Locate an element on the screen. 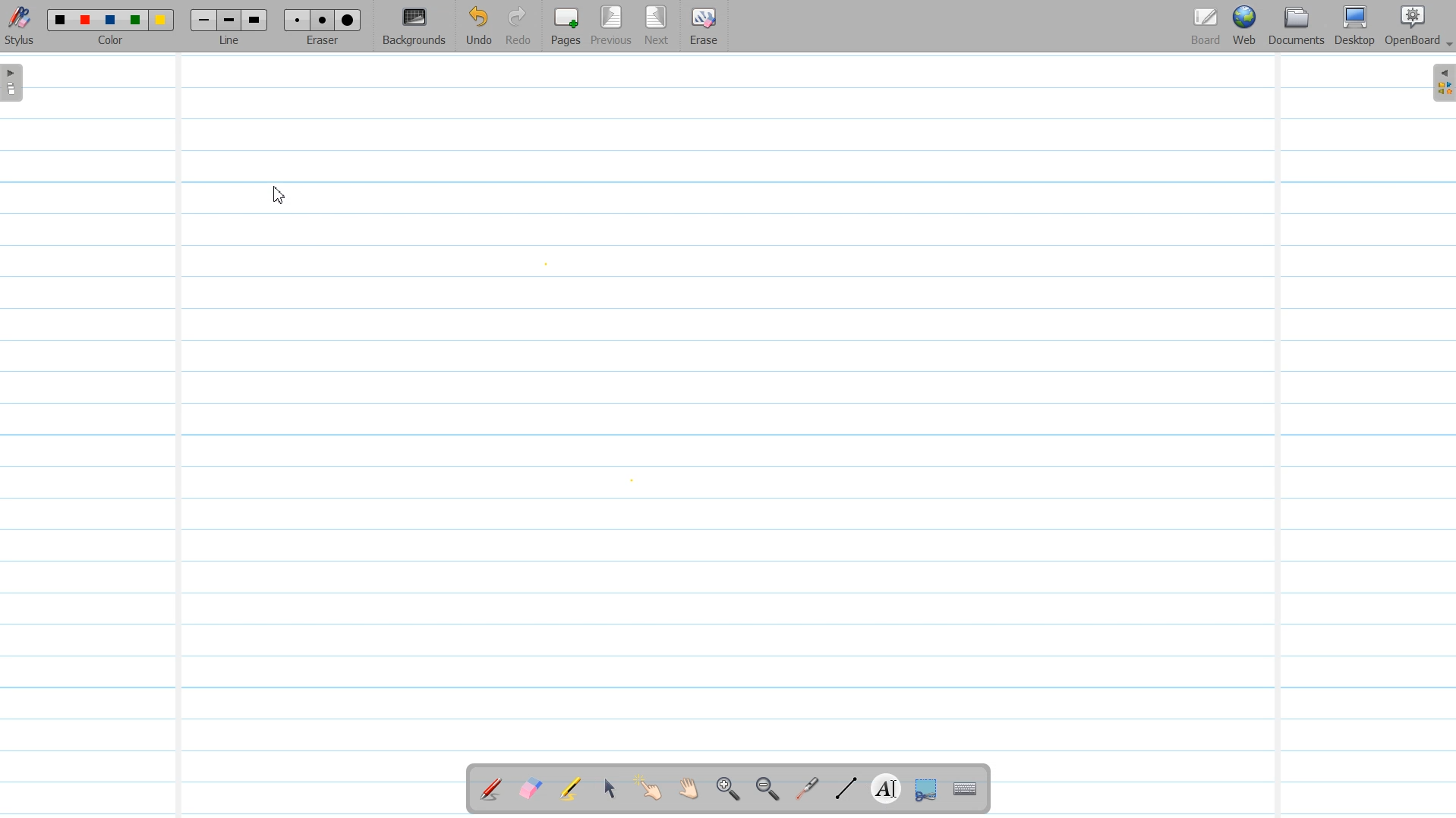  Document is located at coordinates (1298, 26).